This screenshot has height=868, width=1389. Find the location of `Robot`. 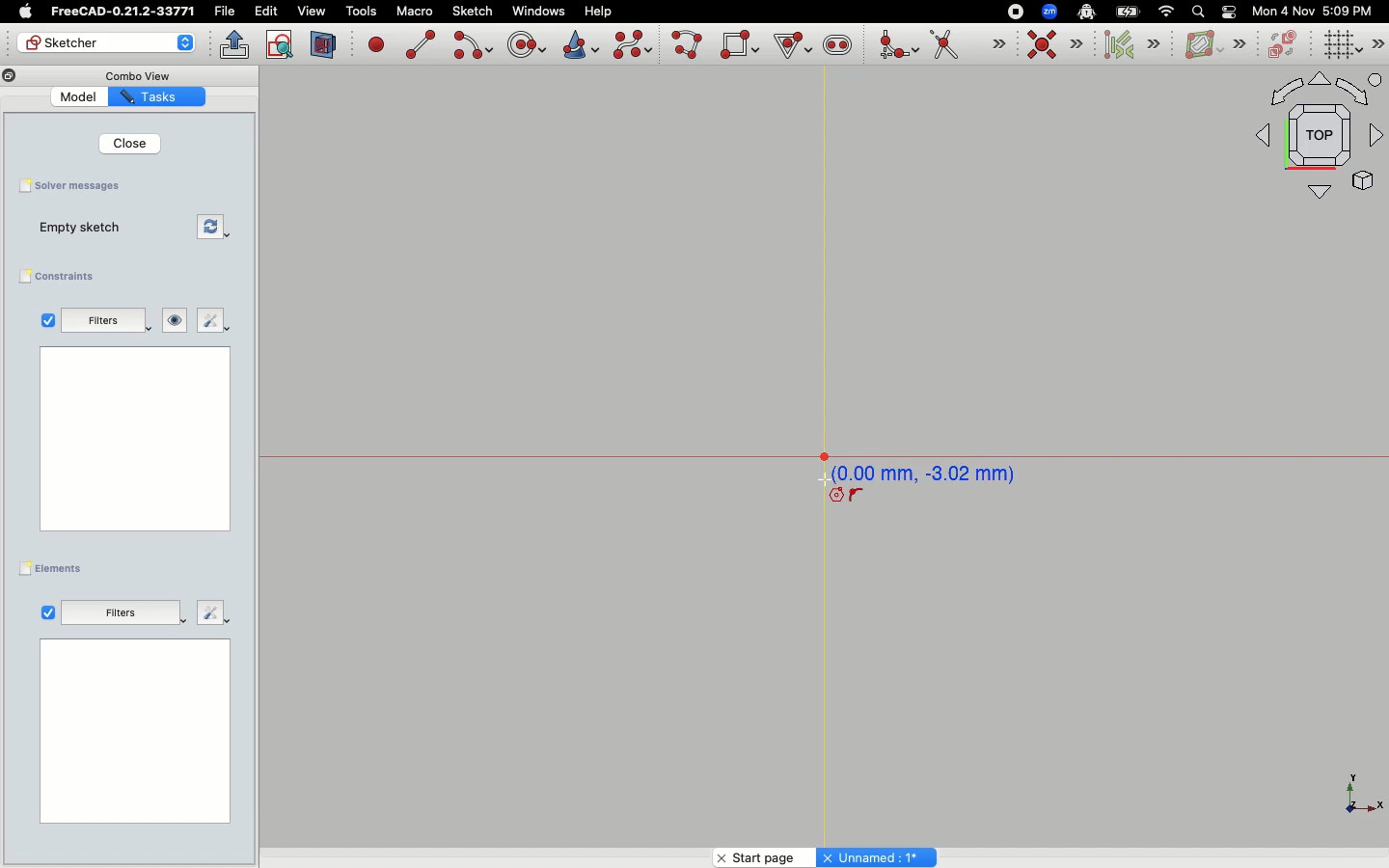

Robot is located at coordinates (1086, 14).